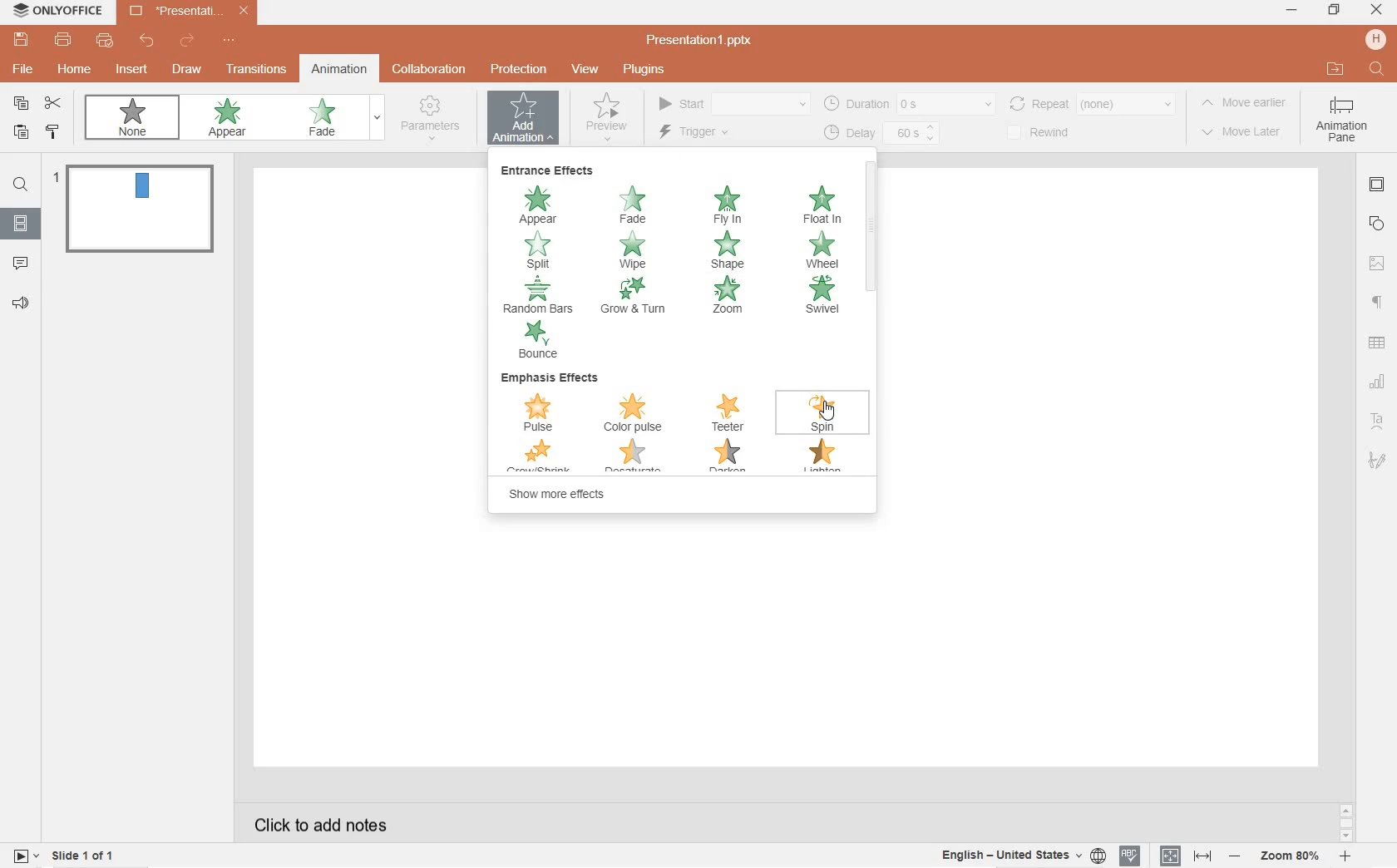  I want to click on appear, so click(541, 205).